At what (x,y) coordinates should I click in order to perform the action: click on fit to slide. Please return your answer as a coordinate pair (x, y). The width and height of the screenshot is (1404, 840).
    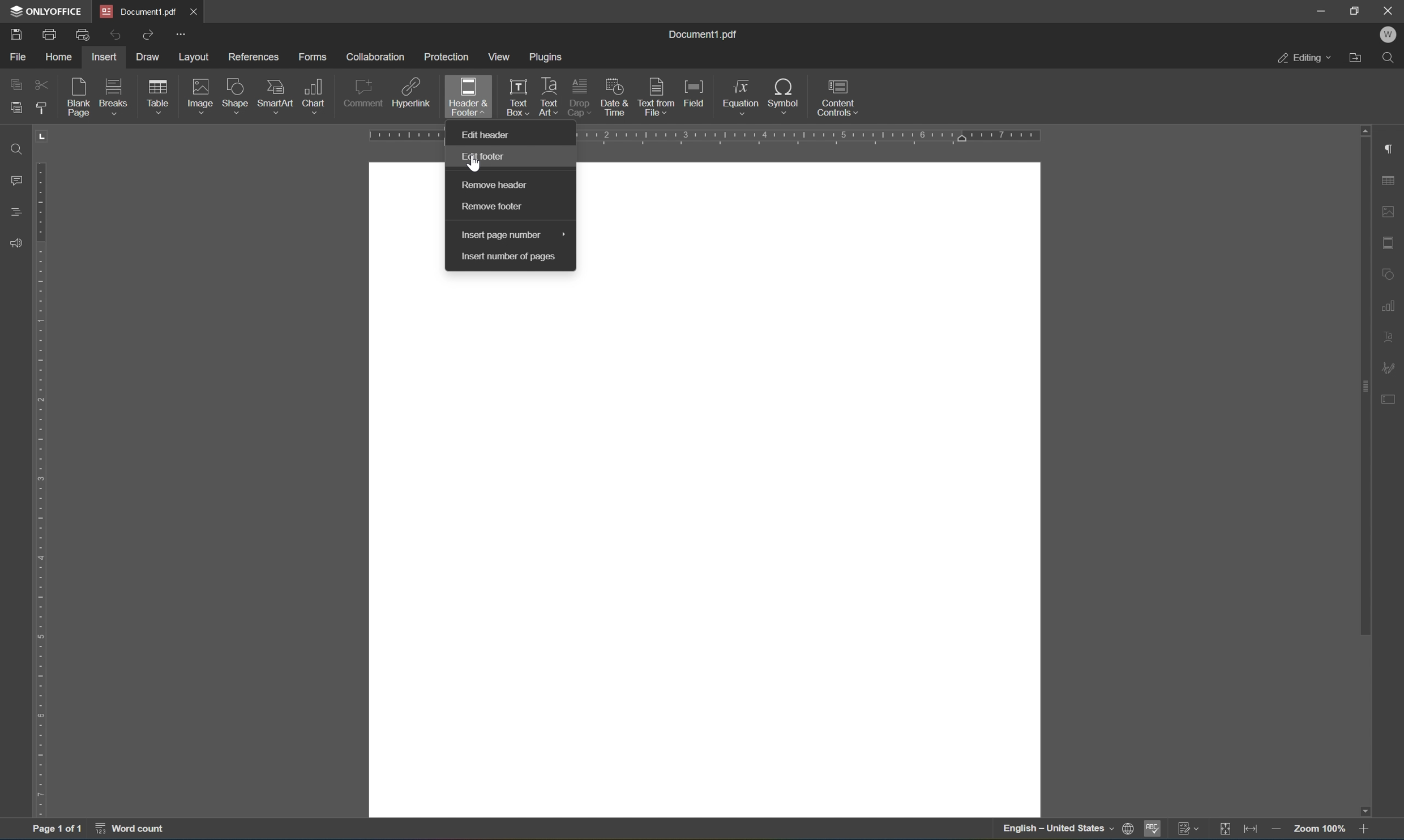
    Looking at the image, I should click on (1224, 830).